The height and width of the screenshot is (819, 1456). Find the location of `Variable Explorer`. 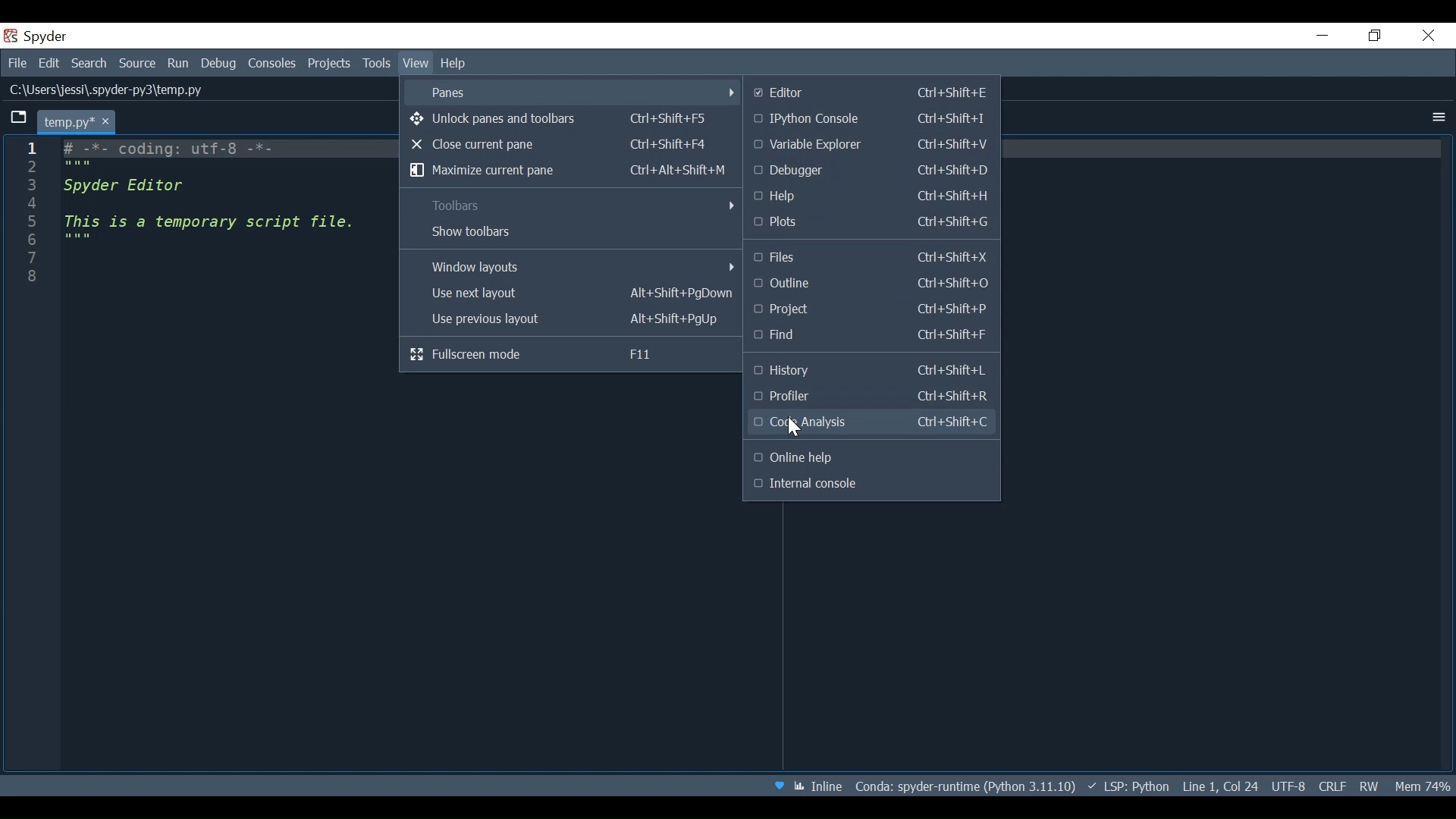

Variable Explorer is located at coordinates (871, 145).